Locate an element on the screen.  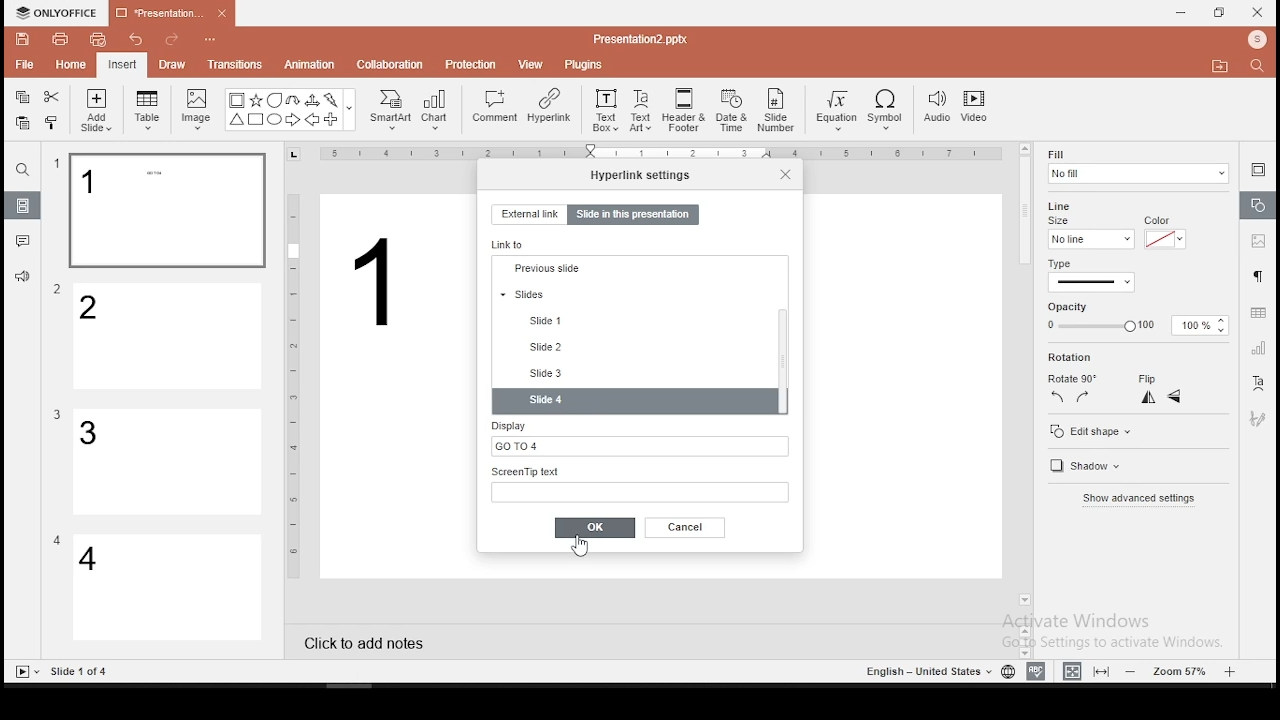
slide 4 is located at coordinates (636, 402).